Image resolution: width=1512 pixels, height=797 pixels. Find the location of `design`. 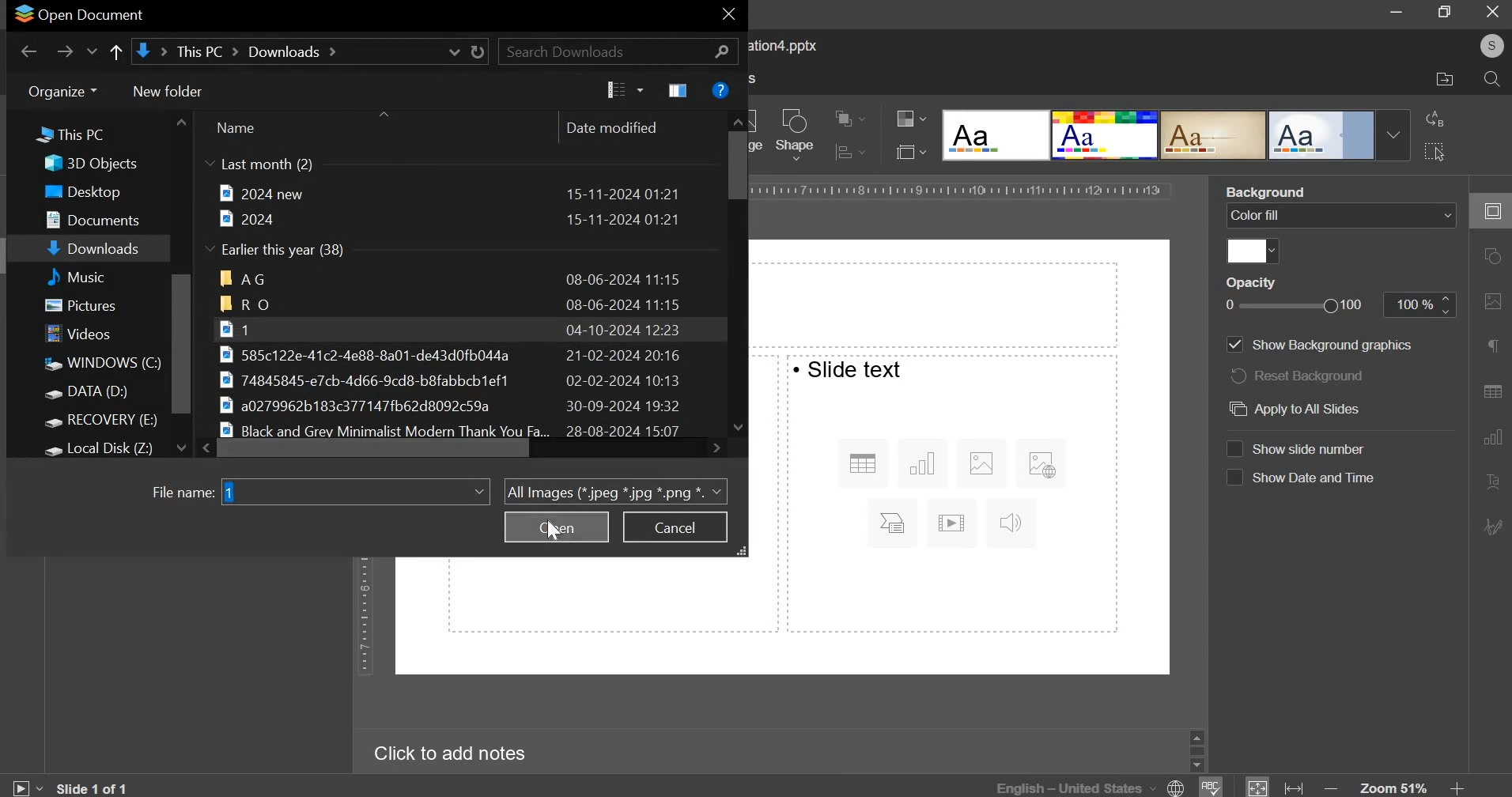

design is located at coordinates (1215, 136).